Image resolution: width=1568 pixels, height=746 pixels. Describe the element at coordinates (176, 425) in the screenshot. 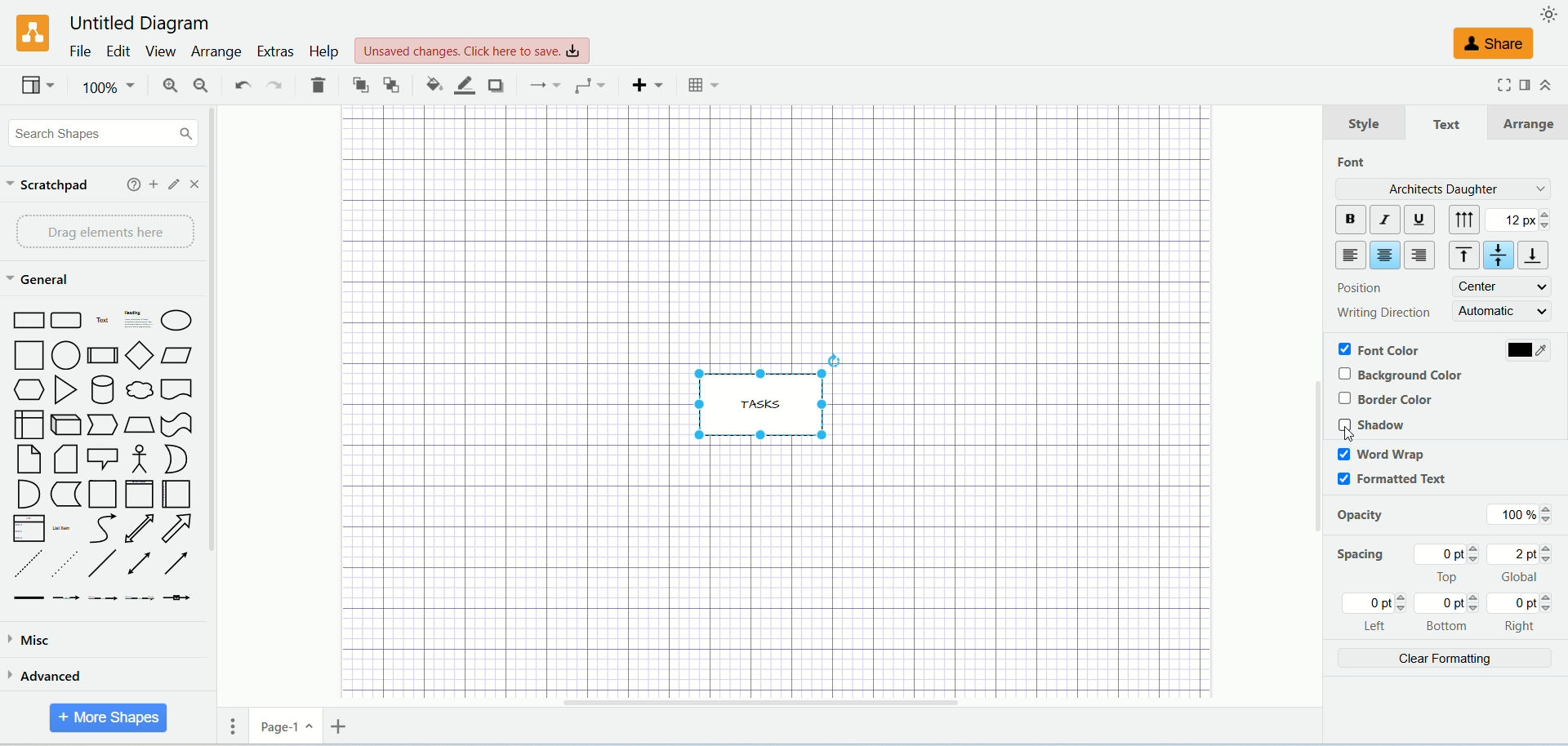

I see `Tape` at that location.